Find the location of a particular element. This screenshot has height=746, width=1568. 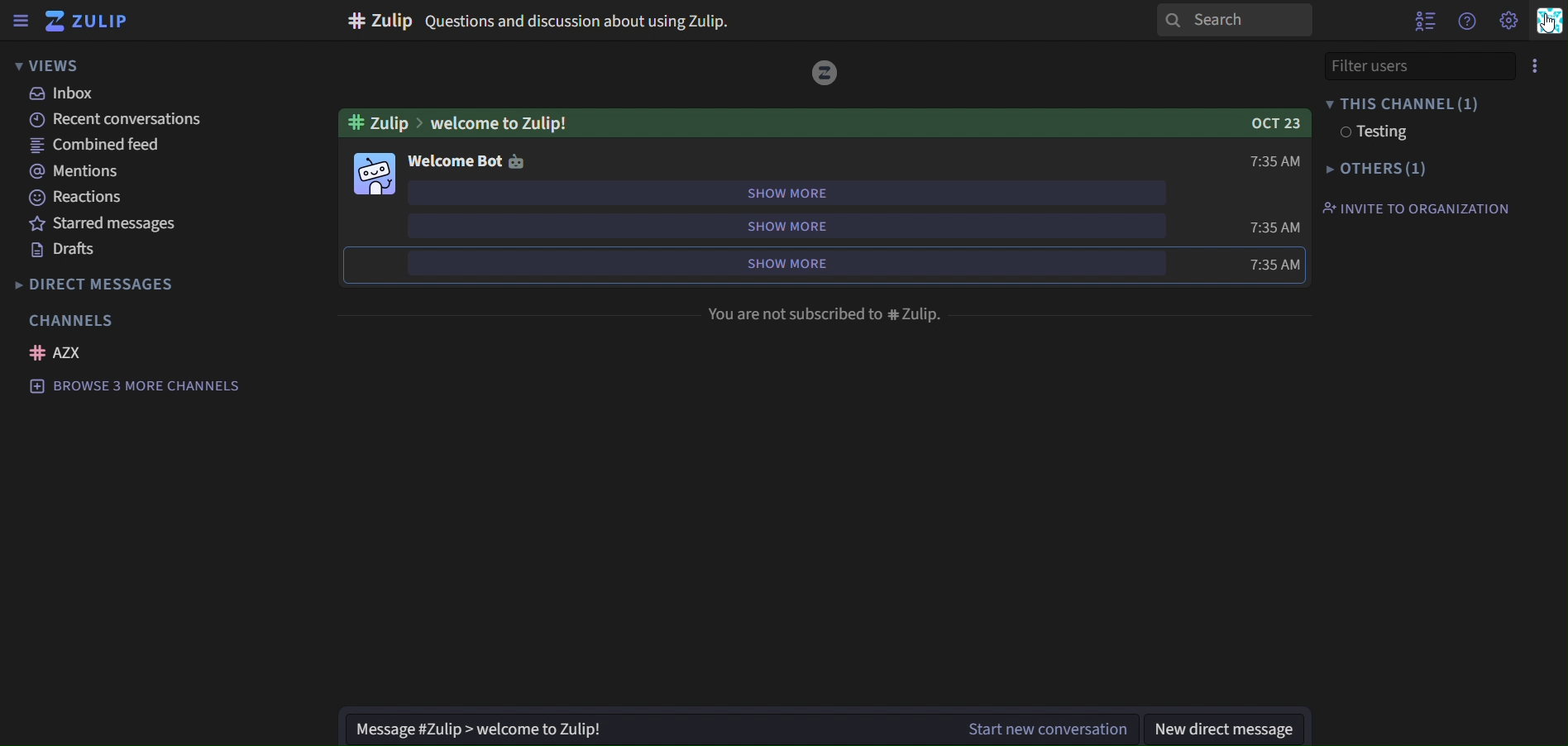

reactions is located at coordinates (83, 198).